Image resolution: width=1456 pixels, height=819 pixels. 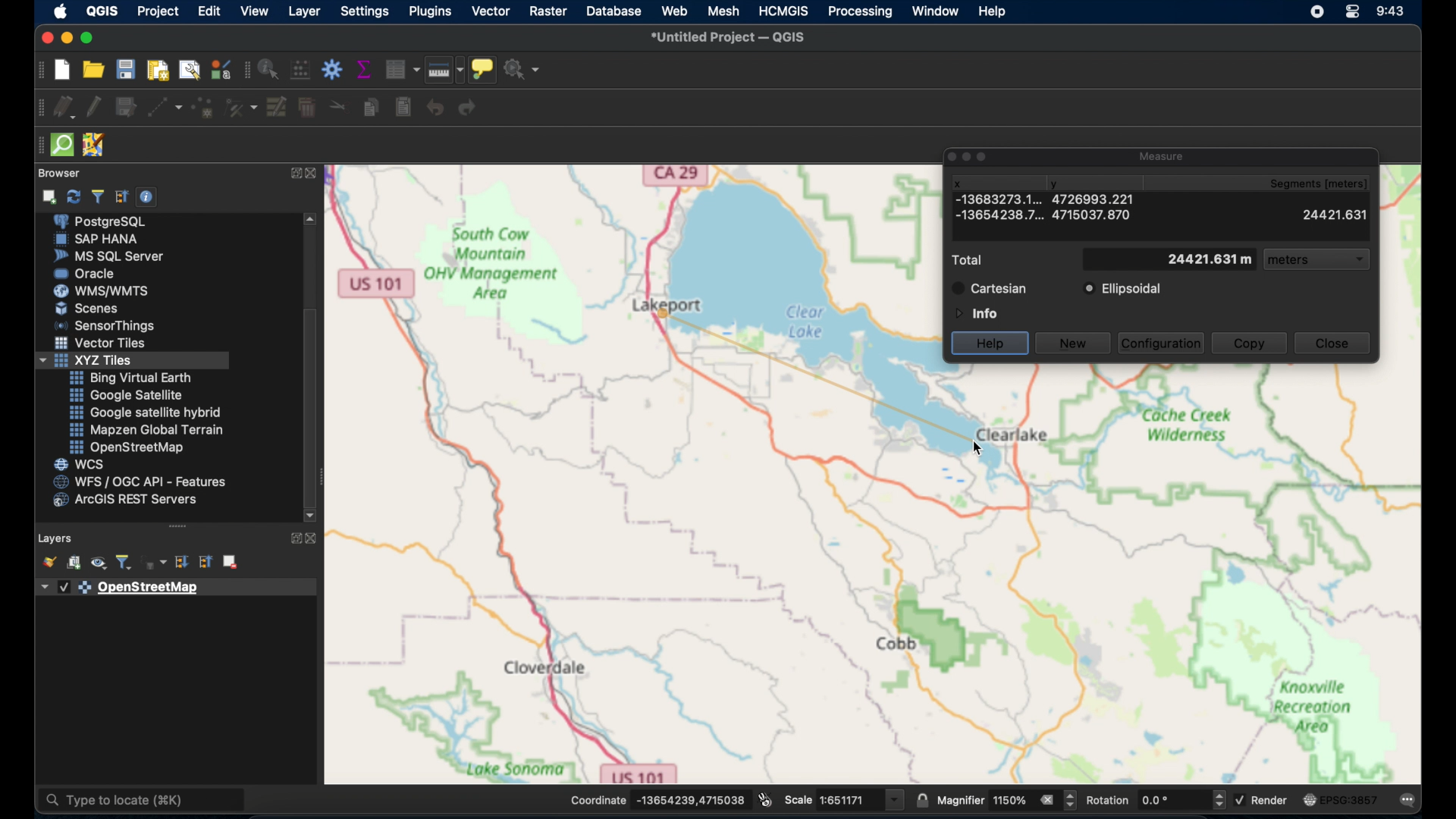 What do you see at coordinates (127, 448) in the screenshot?
I see `openstreetmap` at bounding box center [127, 448].